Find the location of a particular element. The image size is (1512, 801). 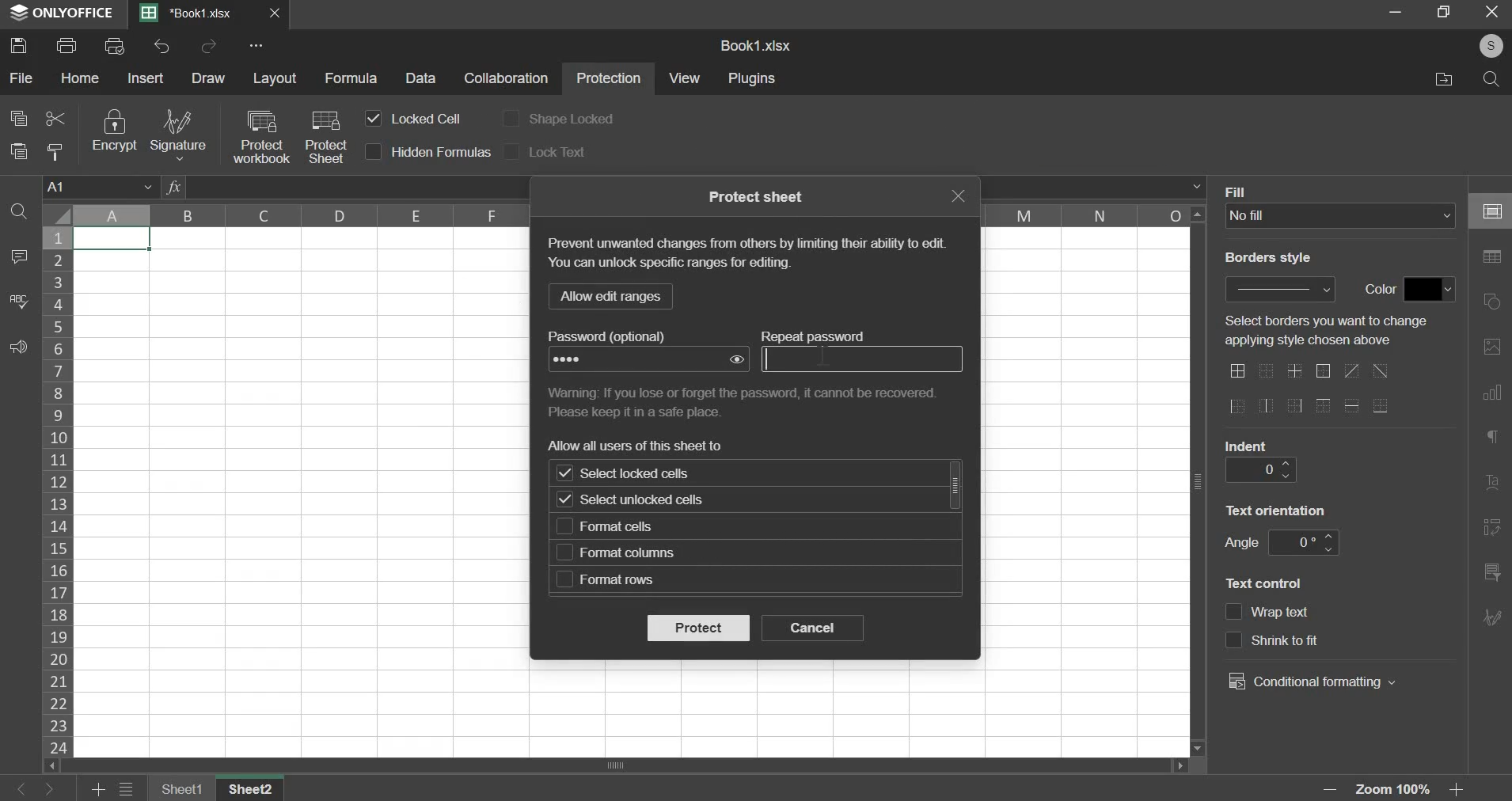

cut is located at coordinates (55, 116).